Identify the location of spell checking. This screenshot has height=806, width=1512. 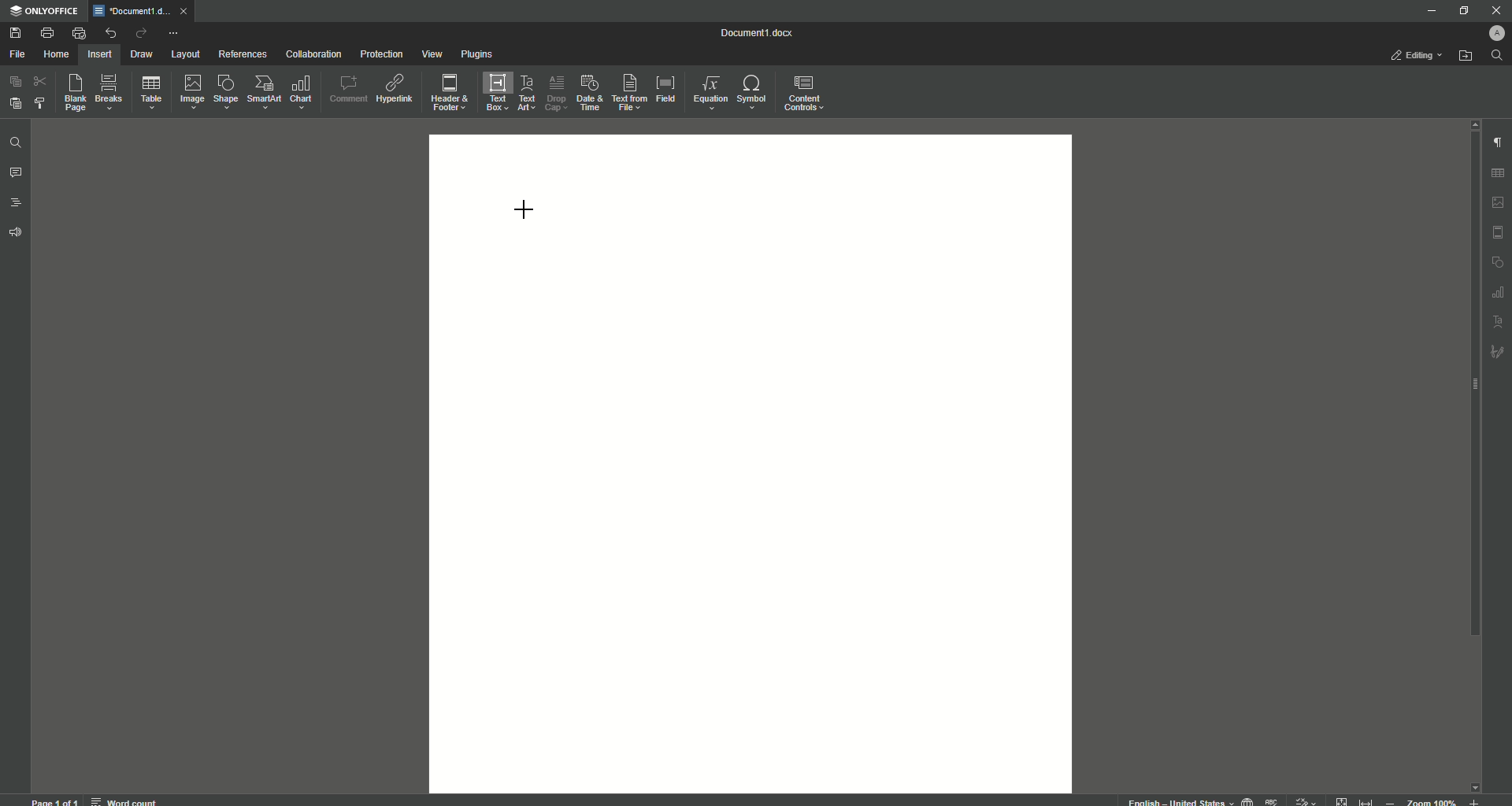
(1273, 800).